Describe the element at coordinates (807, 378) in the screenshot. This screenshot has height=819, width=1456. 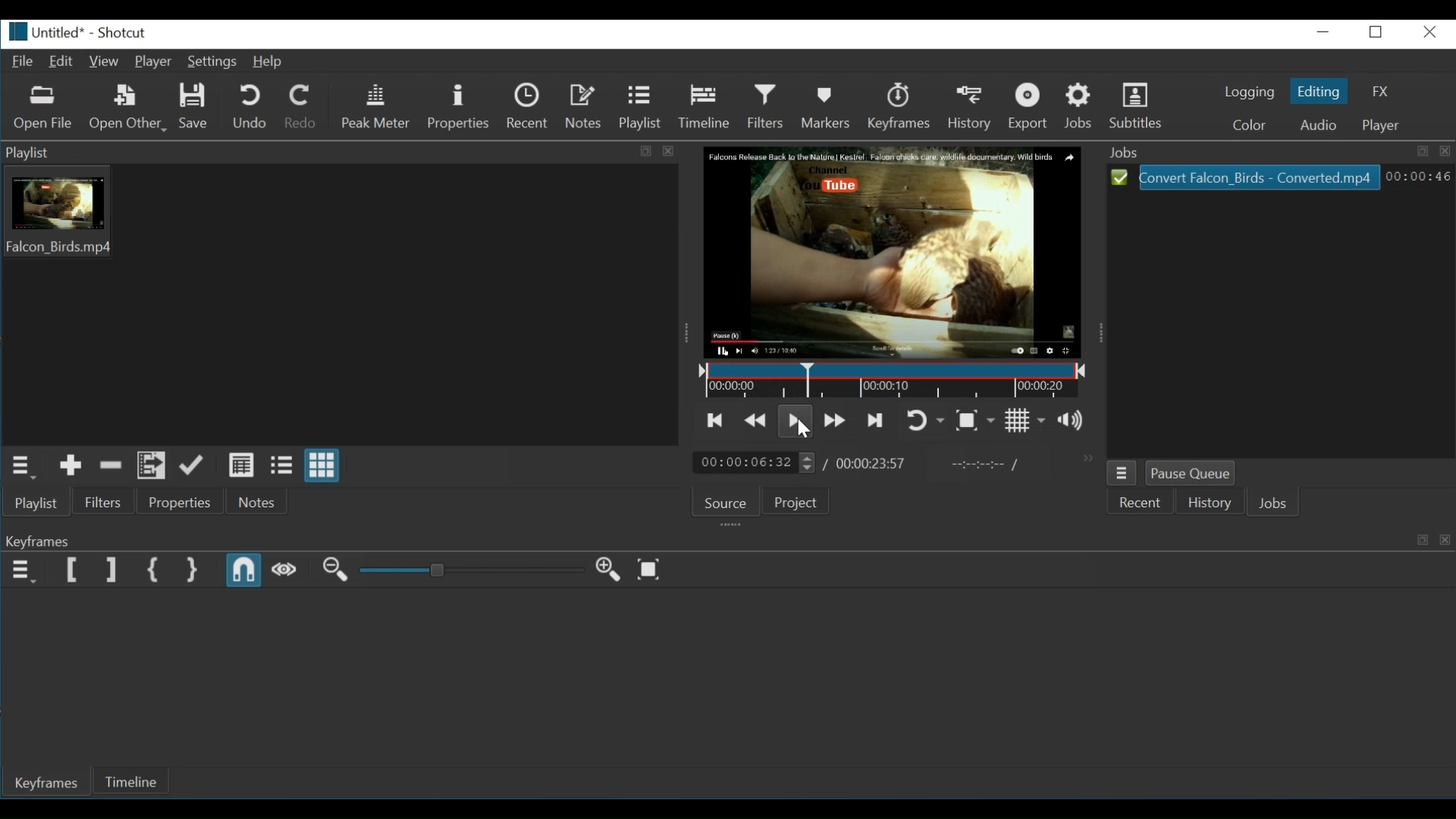
I see `Timeline cursor` at that location.